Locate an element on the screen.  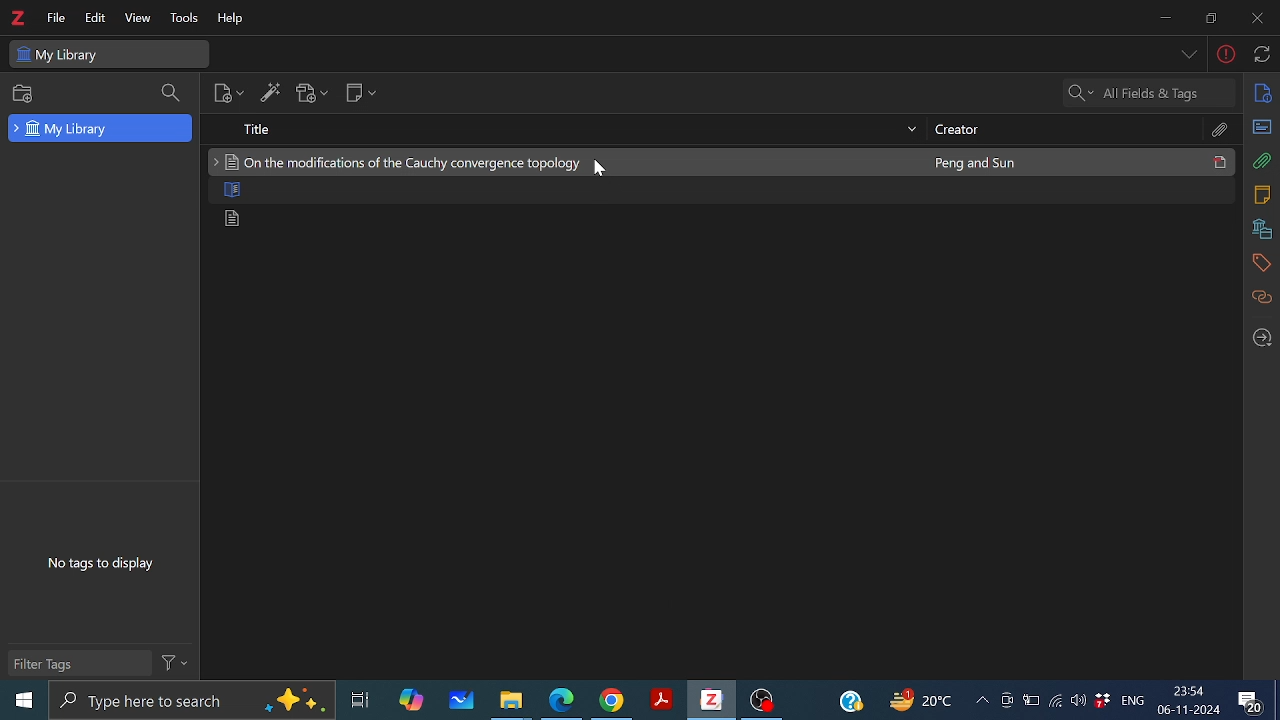
language is located at coordinates (1130, 699).